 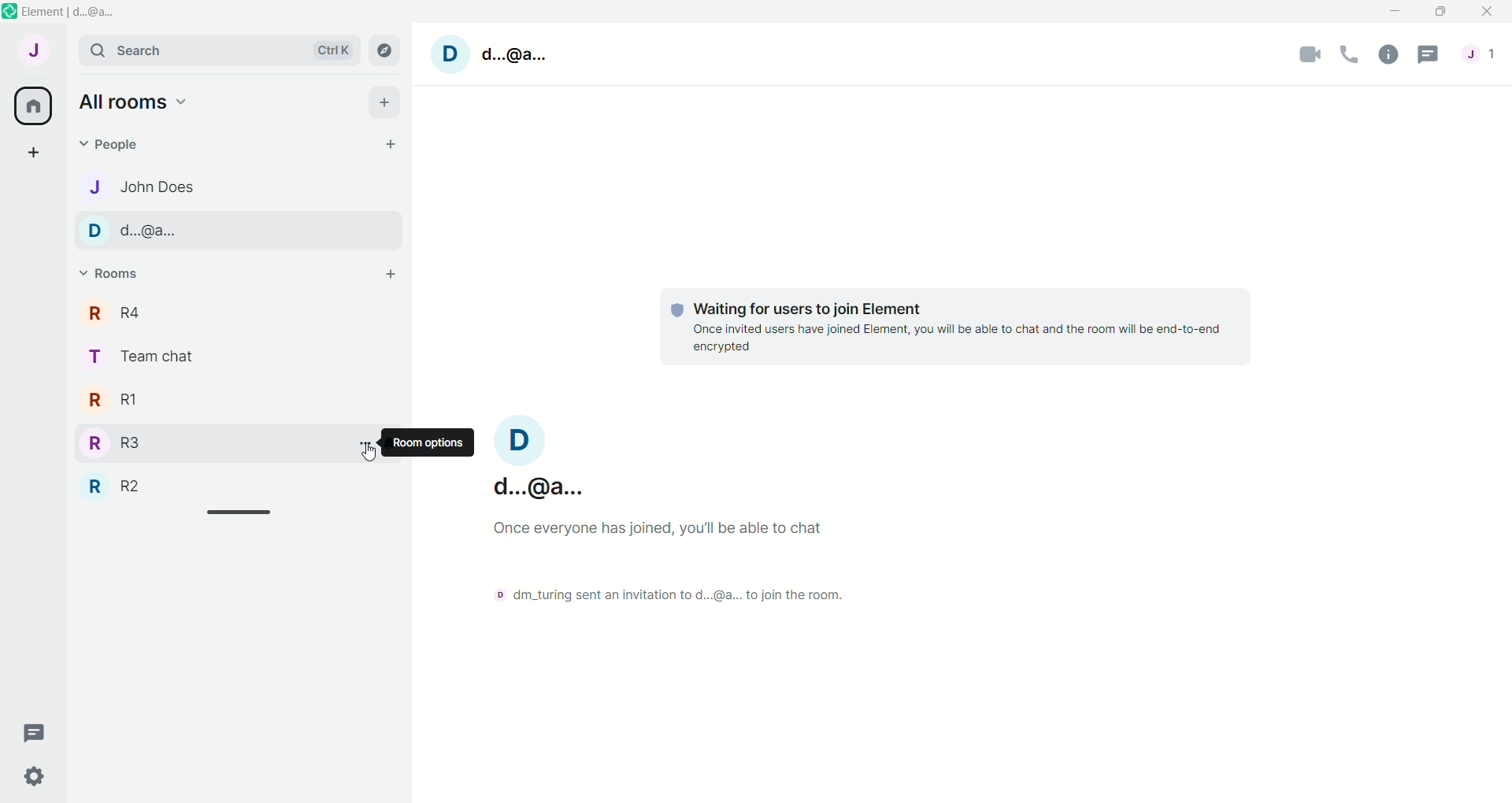 I want to click on cursor, so click(x=370, y=454).